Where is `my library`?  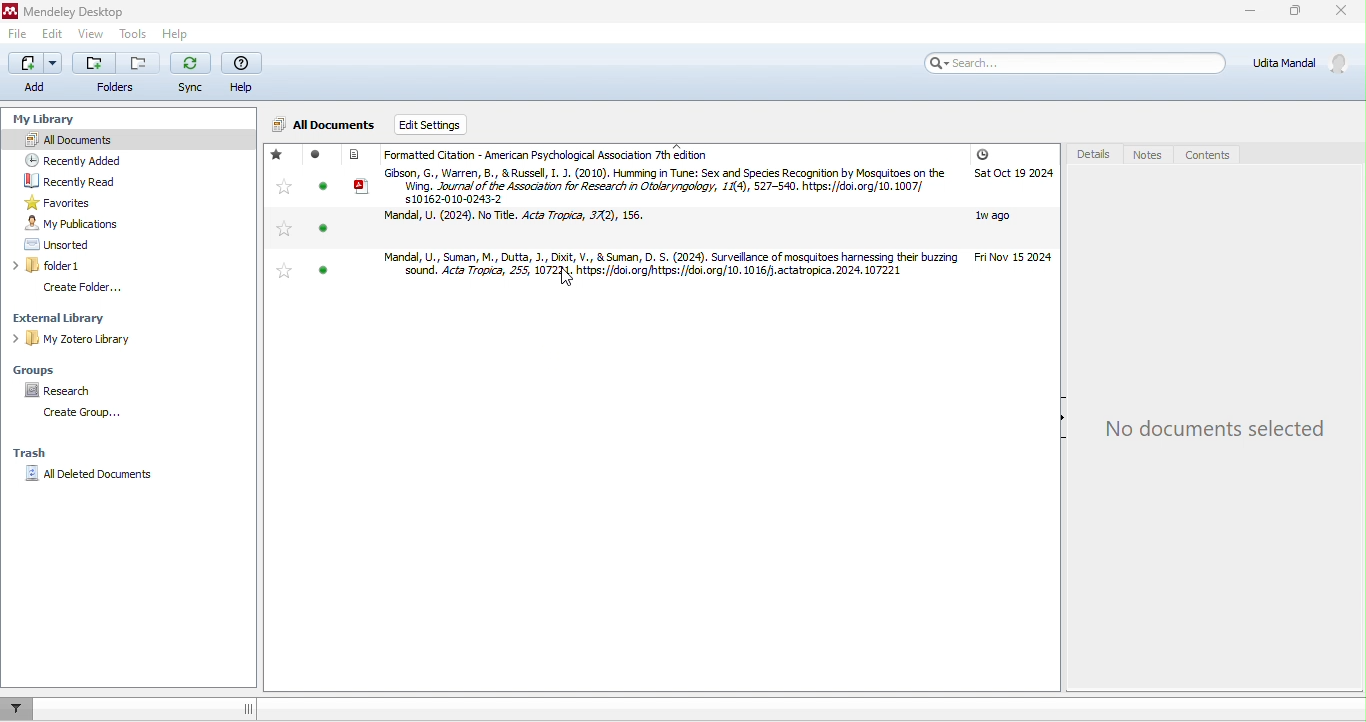 my library is located at coordinates (41, 115).